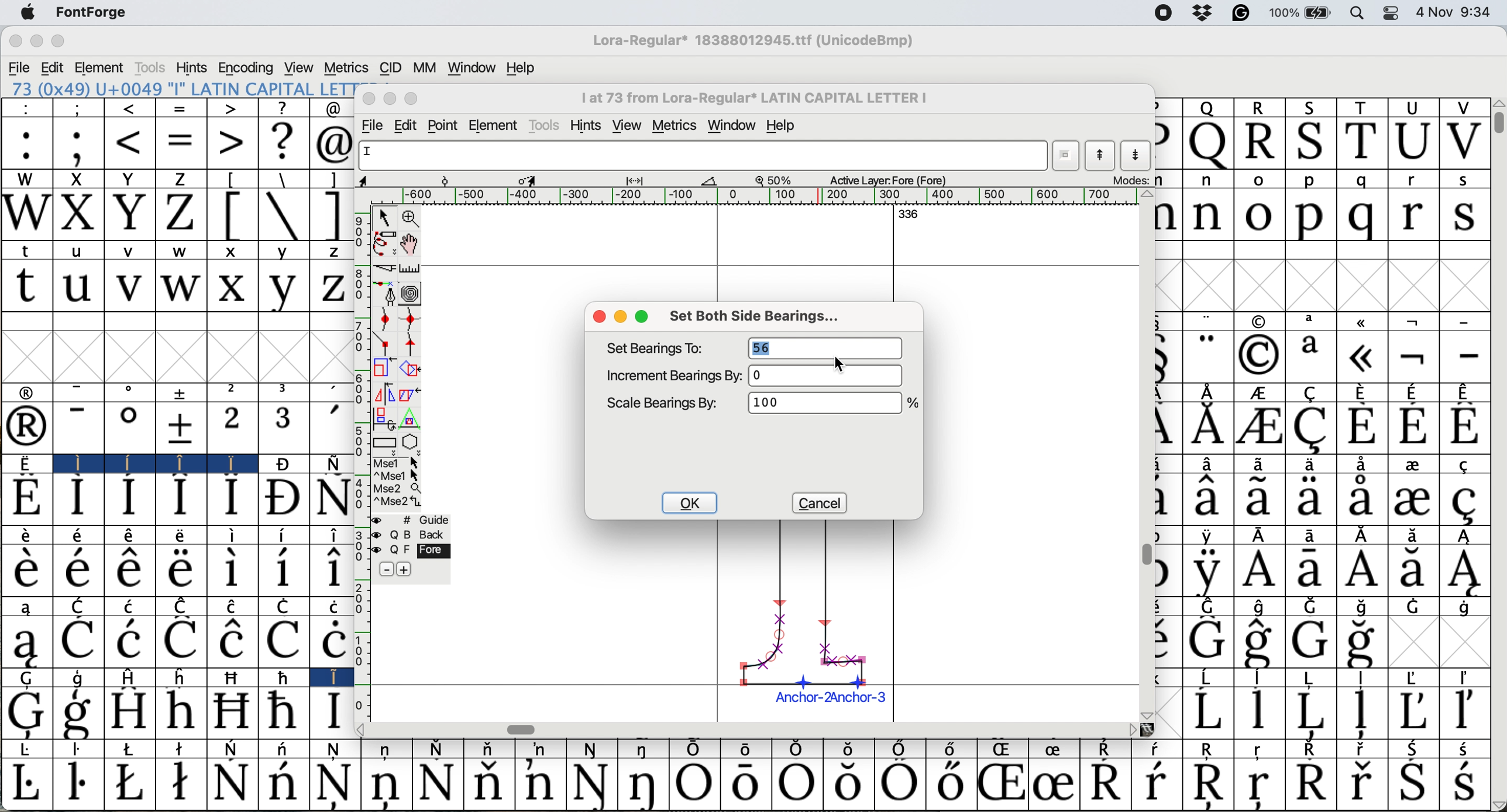 The width and height of the screenshot is (1507, 812). I want to click on Symbol, so click(228, 465).